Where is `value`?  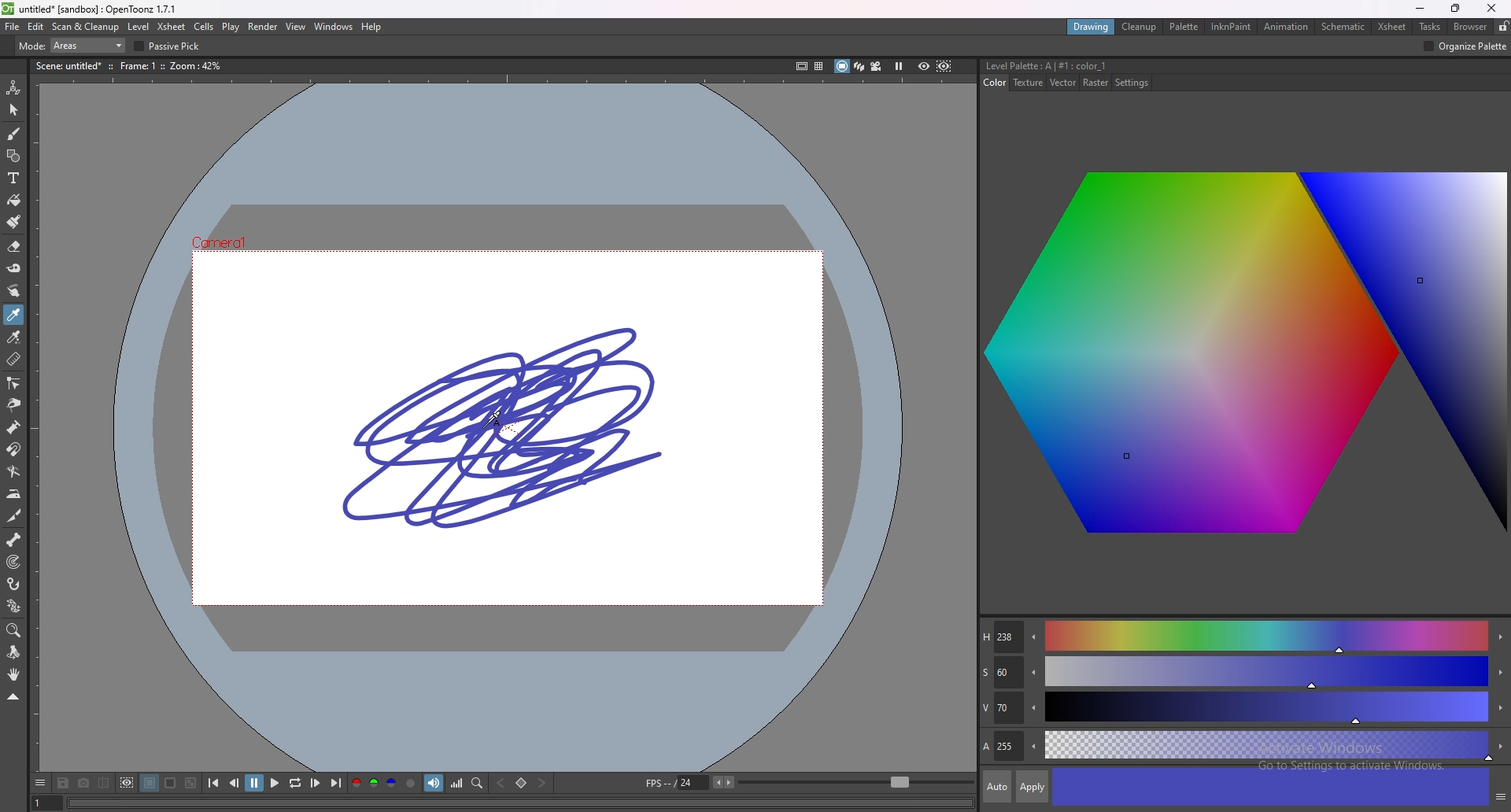 value is located at coordinates (1244, 709).